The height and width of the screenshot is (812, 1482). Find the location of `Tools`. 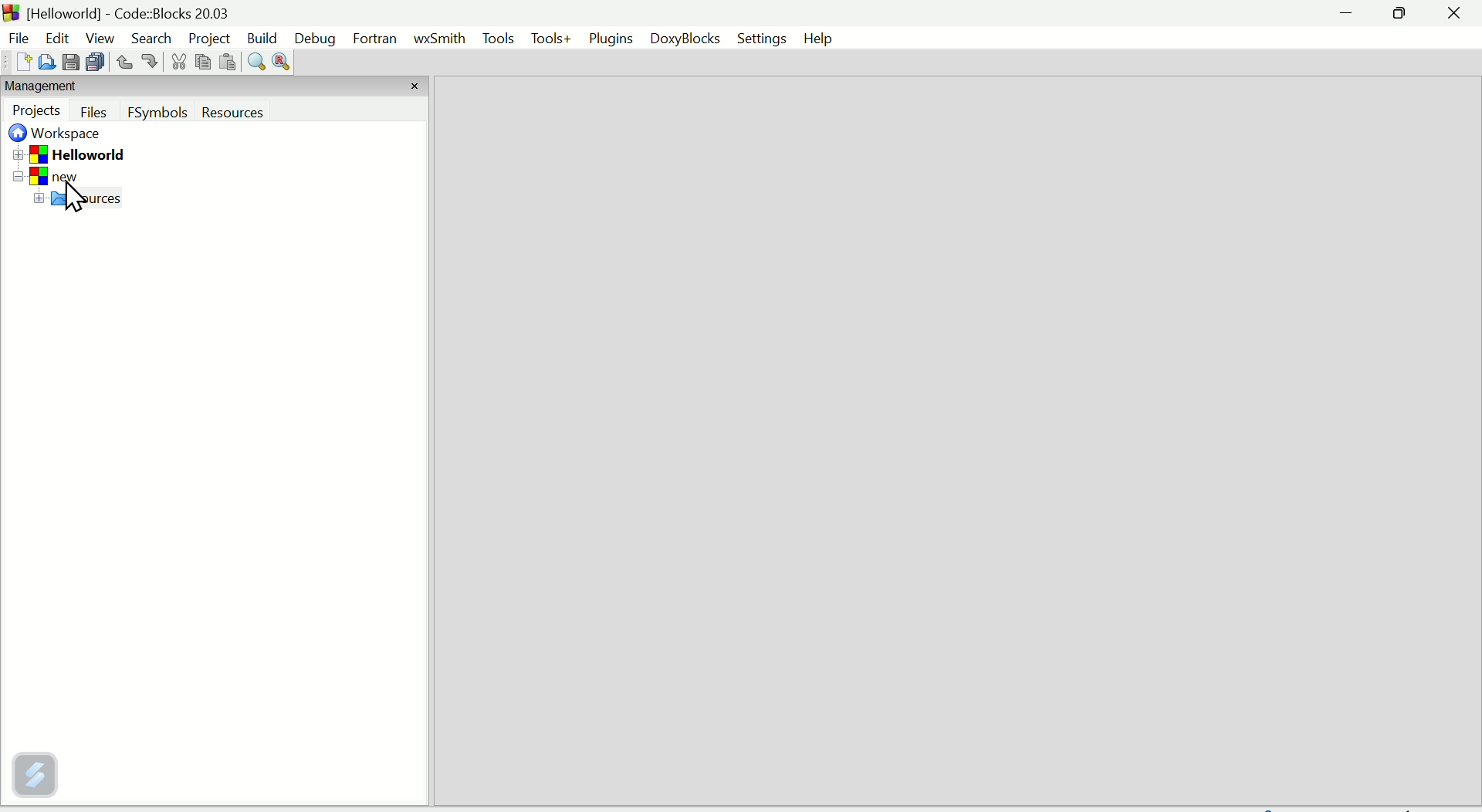

Tools is located at coordinates (550, 39).